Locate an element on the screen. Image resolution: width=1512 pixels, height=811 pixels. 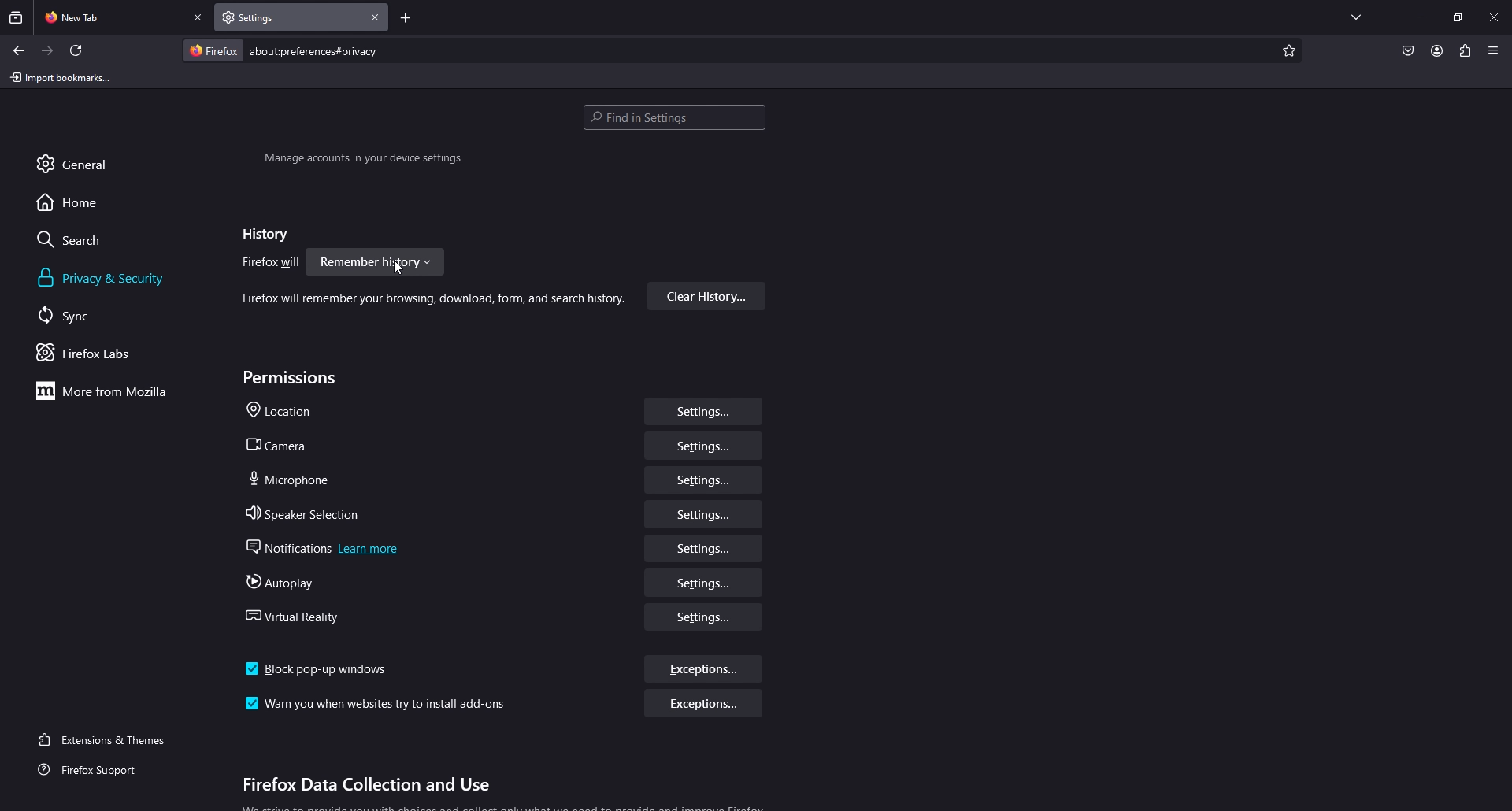
Firefox will remember your browsing, download, form, and search history. is located at coordinates (425, 302).